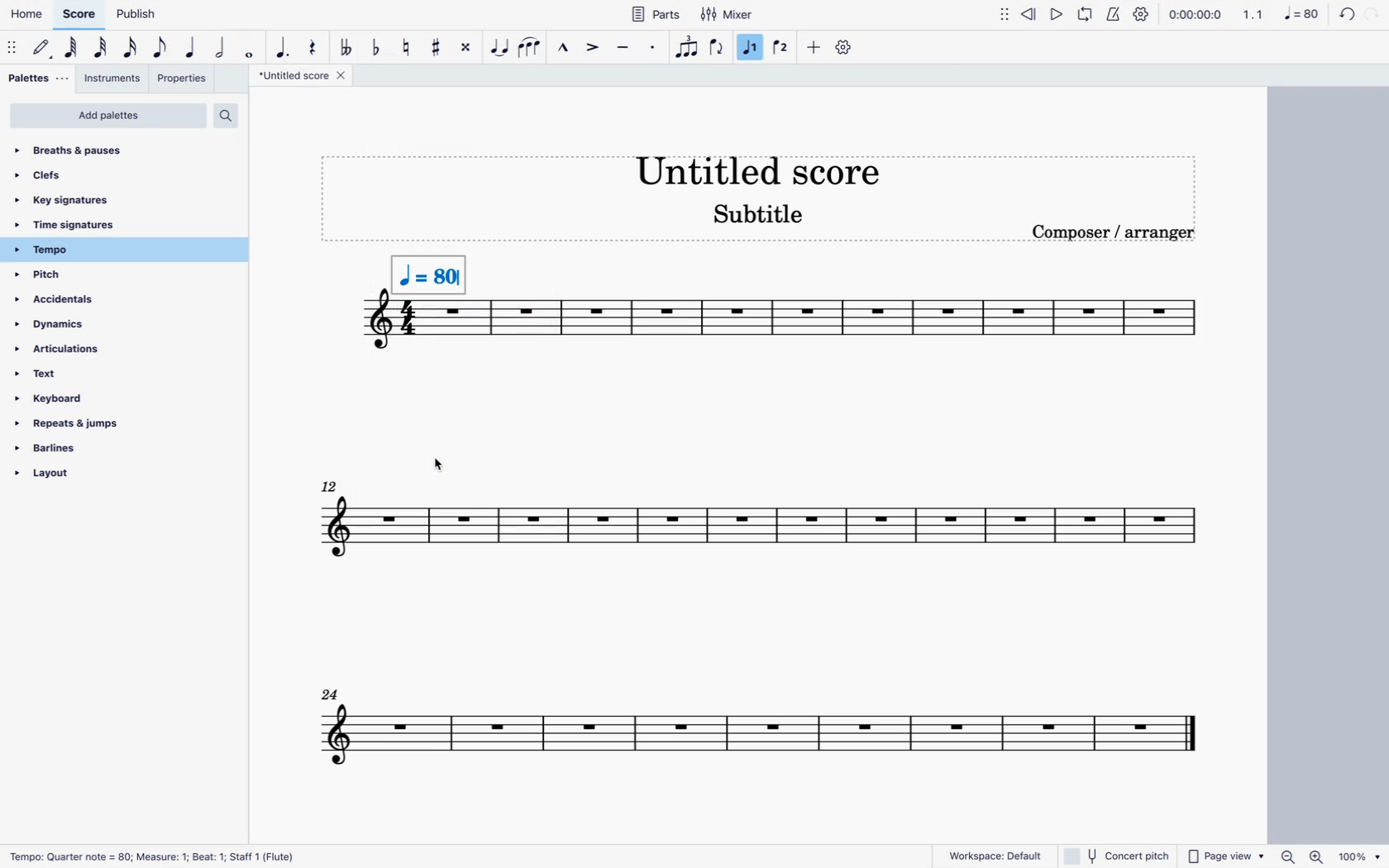 The image size is (1389, 868). What do you see at coordinates (652, 48) in the screenshot?
I see `staccato` at bounding box center [652, 48].